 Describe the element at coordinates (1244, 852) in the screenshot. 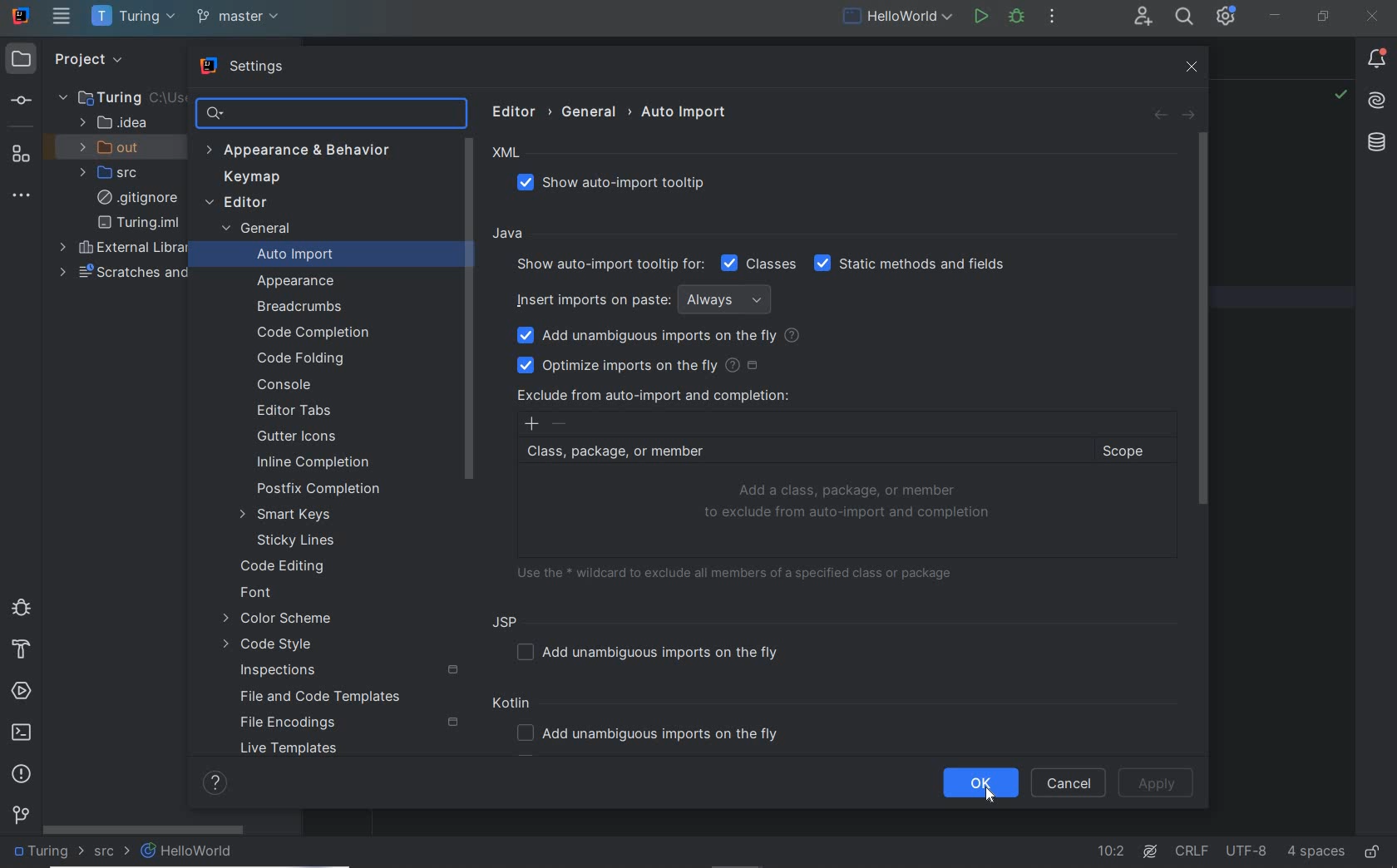

I see `UTF-8(FILE ENCODING)` at that location.